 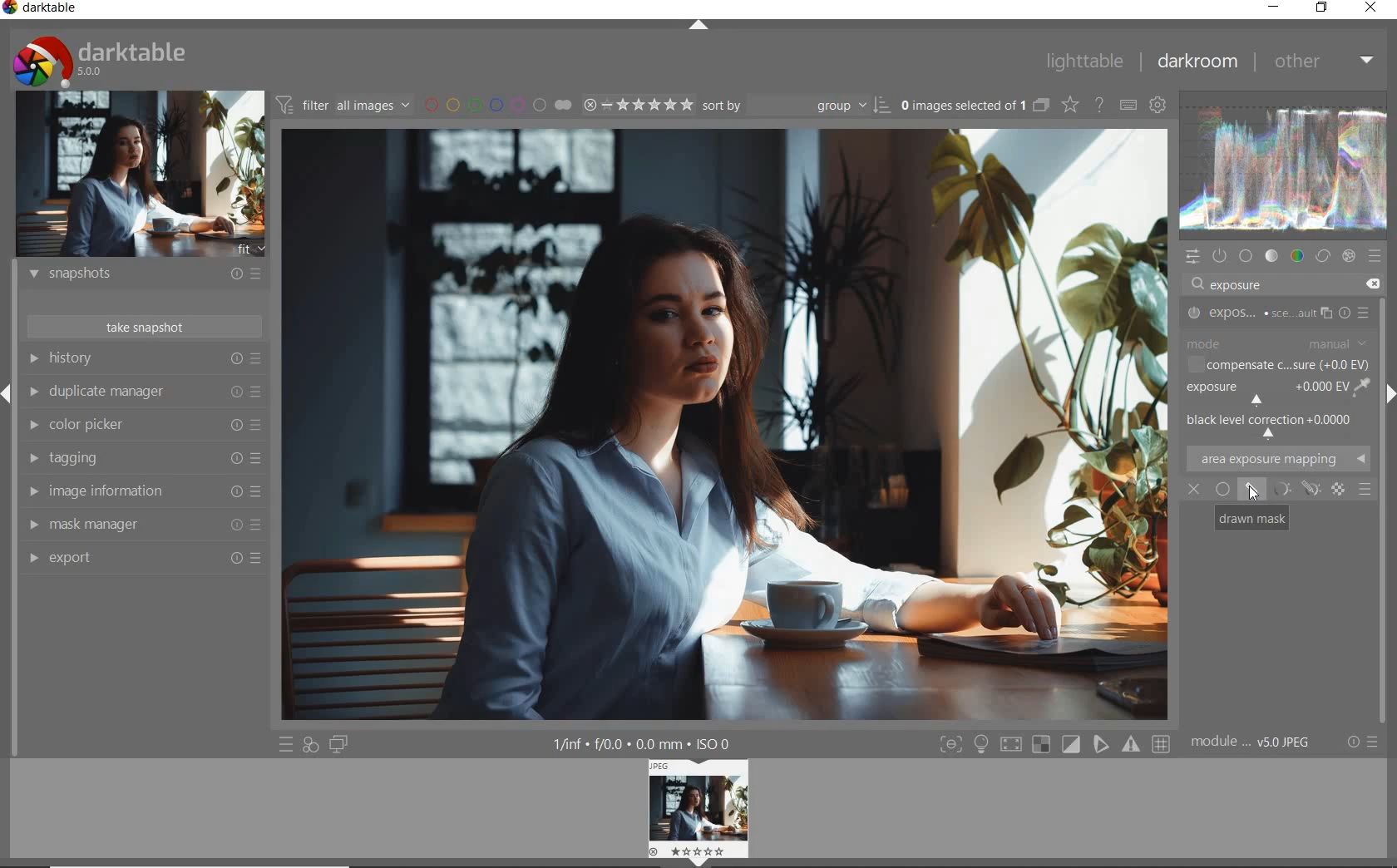 I want to click on base, so click(x=1246, y=256).